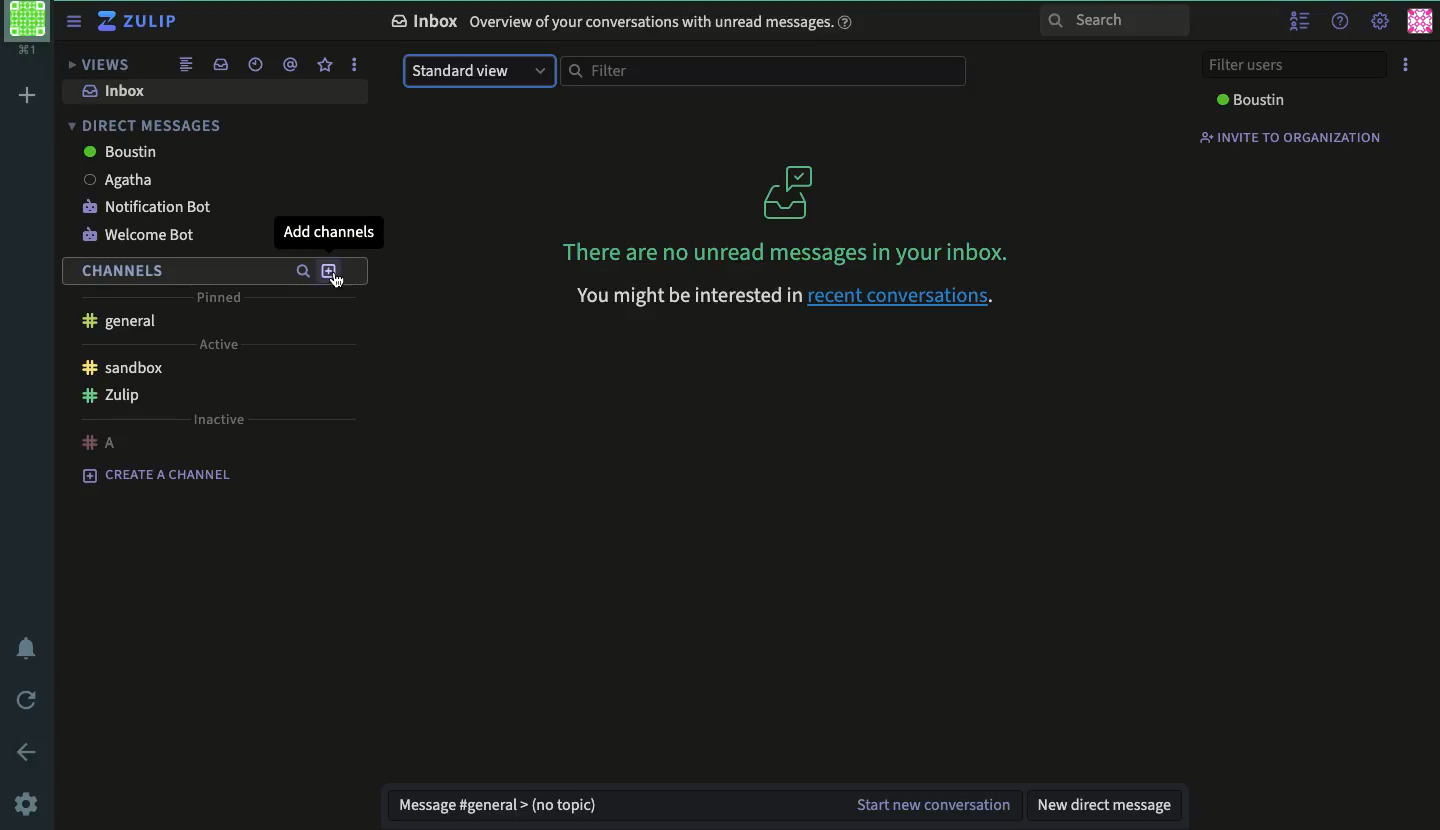 The image size is (1440, 830). What do you see at coordinates (767, 70) in the screenshot?
I see `filter` at bounding box center [767, 70].